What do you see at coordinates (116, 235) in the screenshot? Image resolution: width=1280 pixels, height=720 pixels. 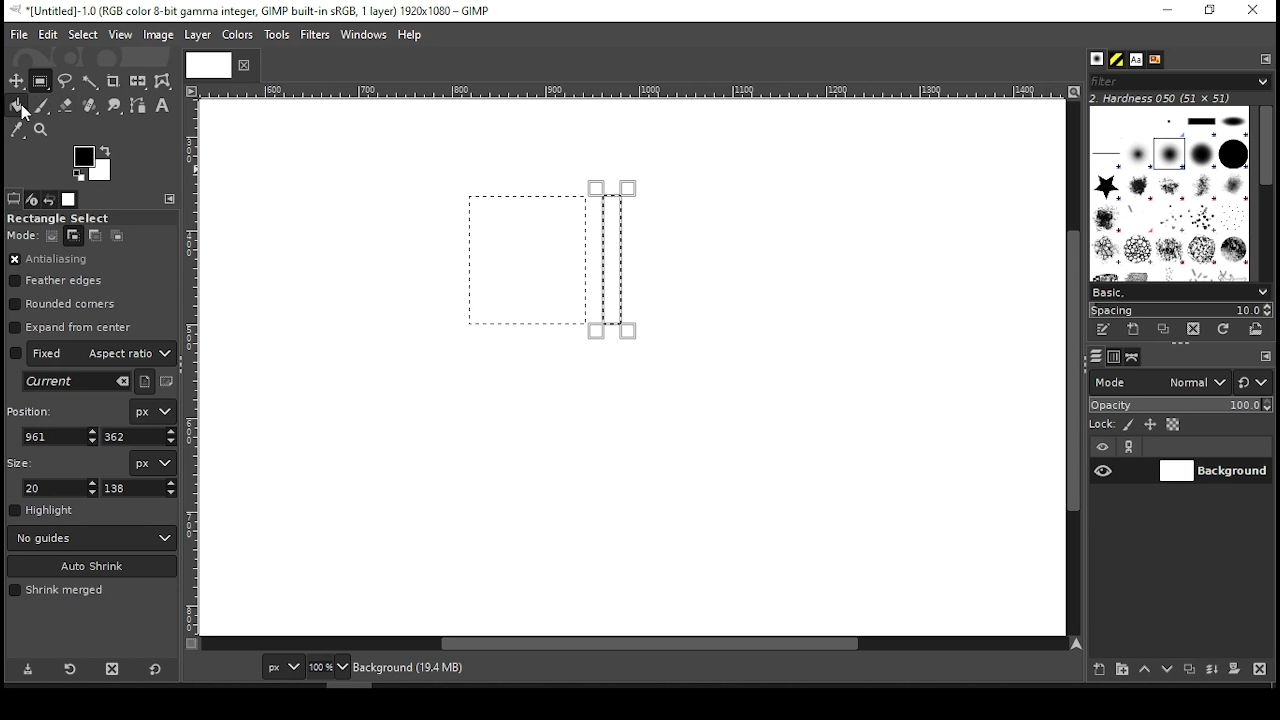 I see `intersect with the current selection` at bounding box center [116, 235].